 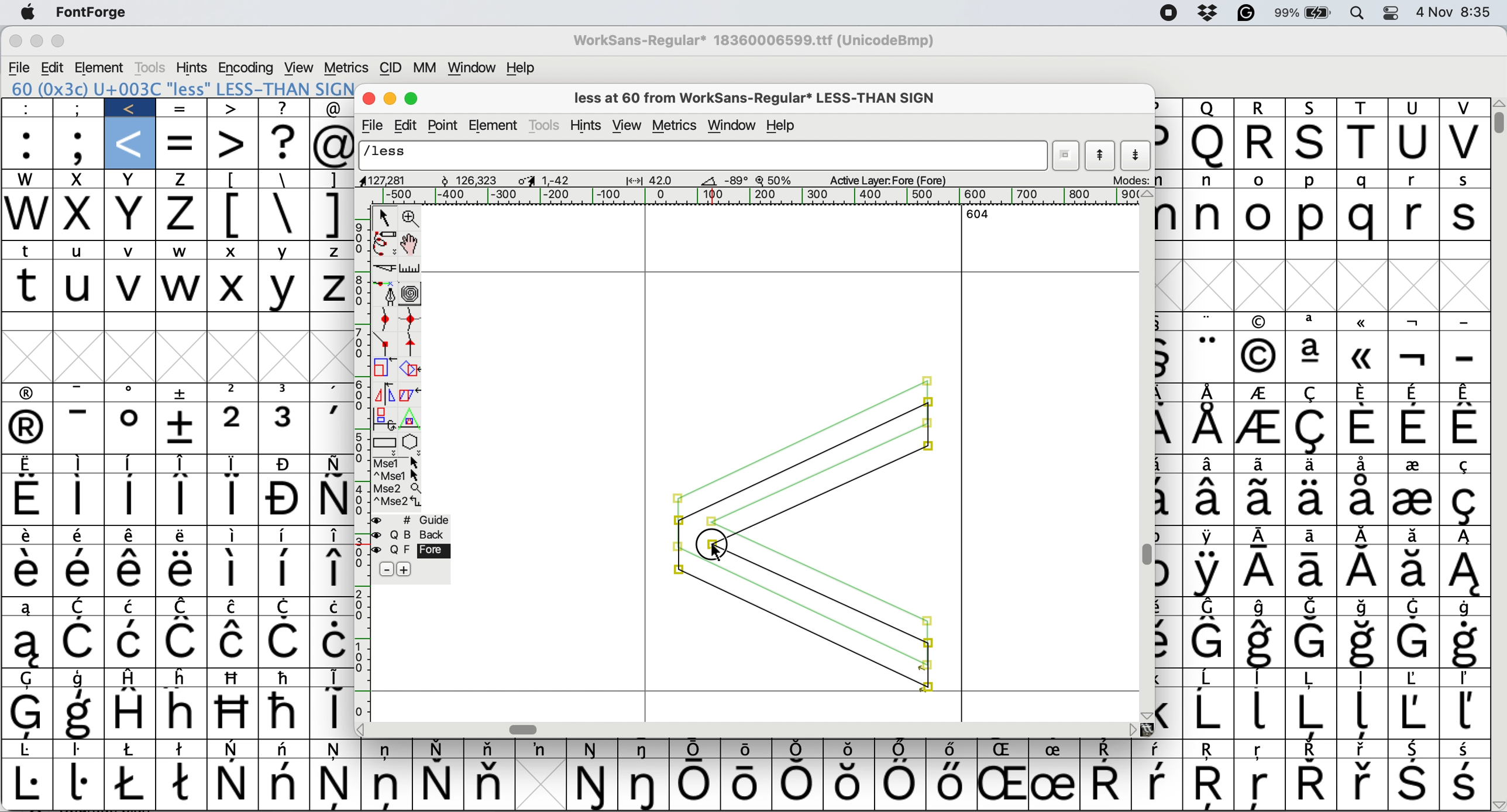 I want to click on z, so click(x=182, y=216).